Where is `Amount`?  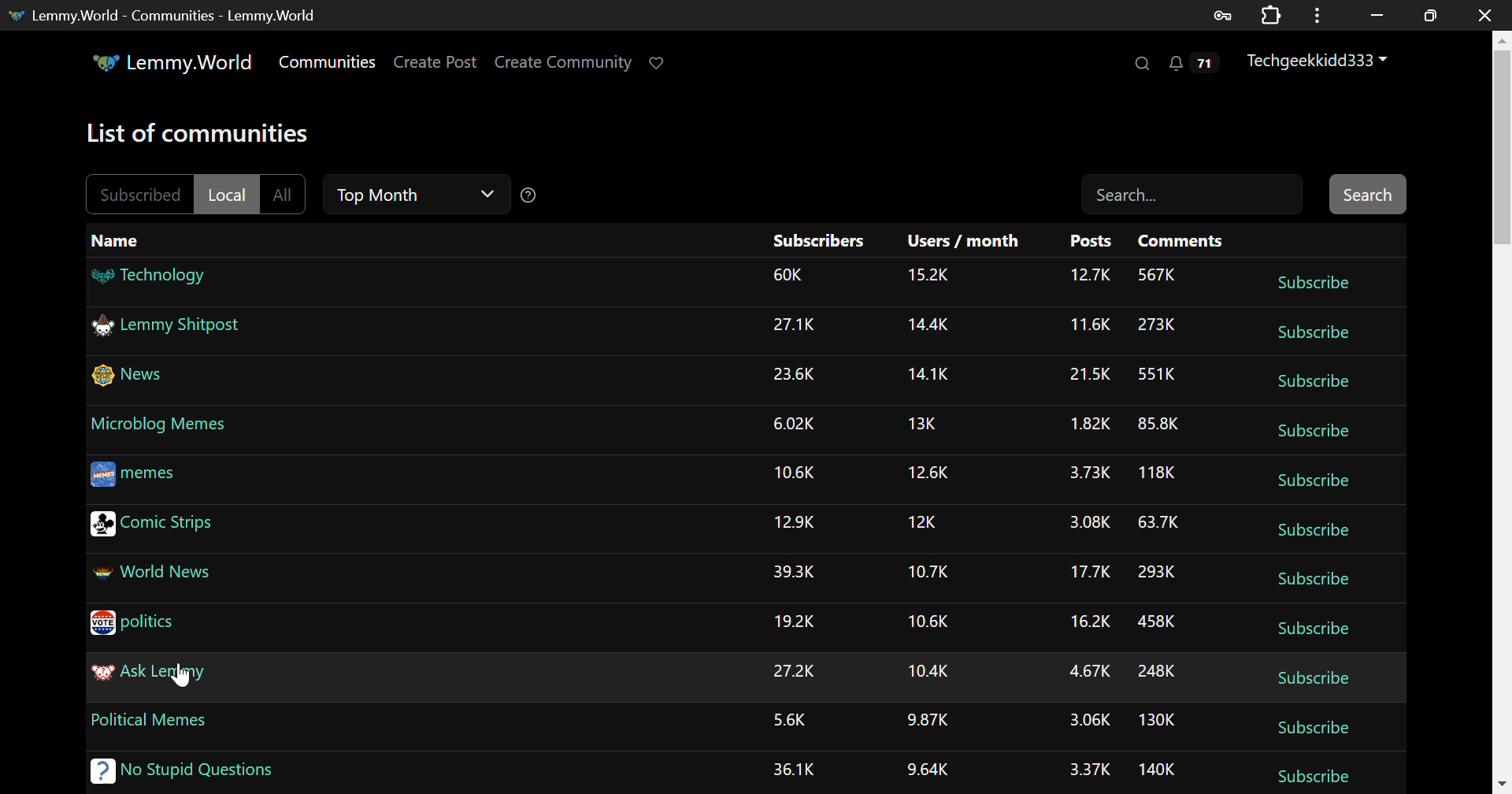 Amount is located at coordinates (792, 374).